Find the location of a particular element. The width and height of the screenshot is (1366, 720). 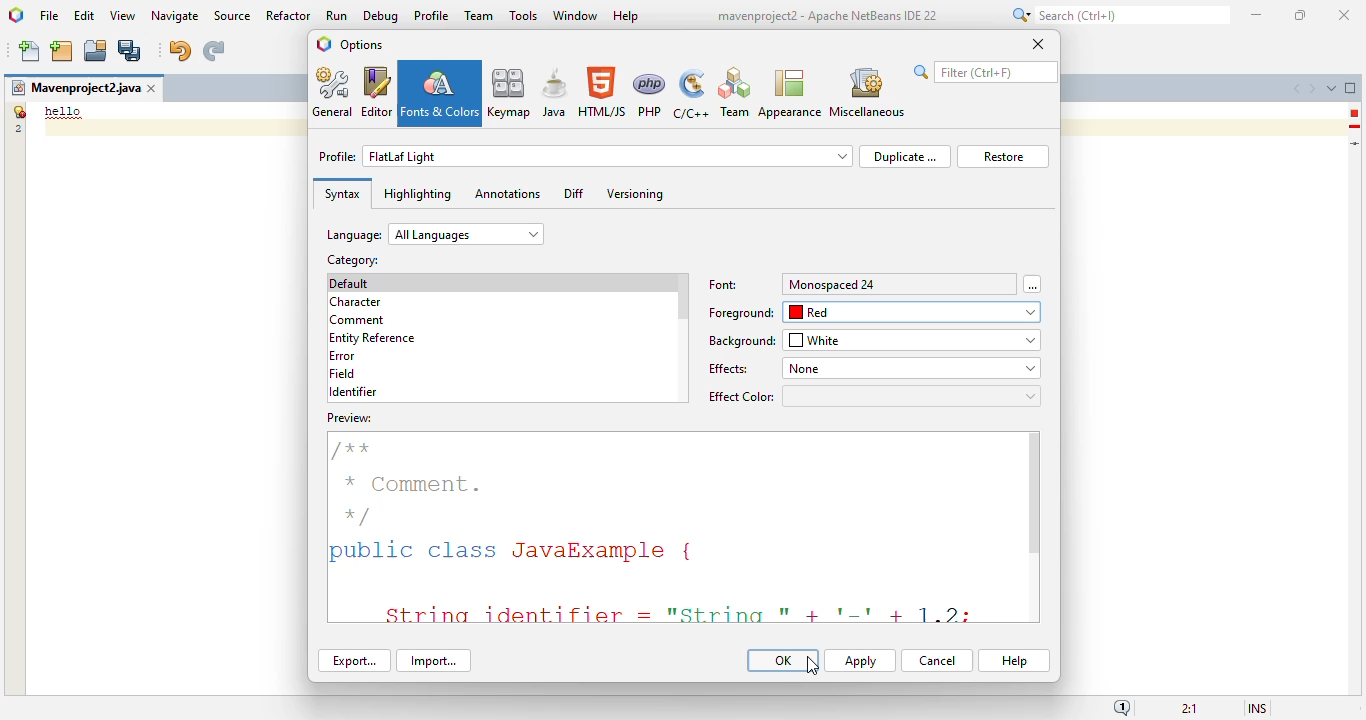

notifications is located at coordinates (1122, 707).